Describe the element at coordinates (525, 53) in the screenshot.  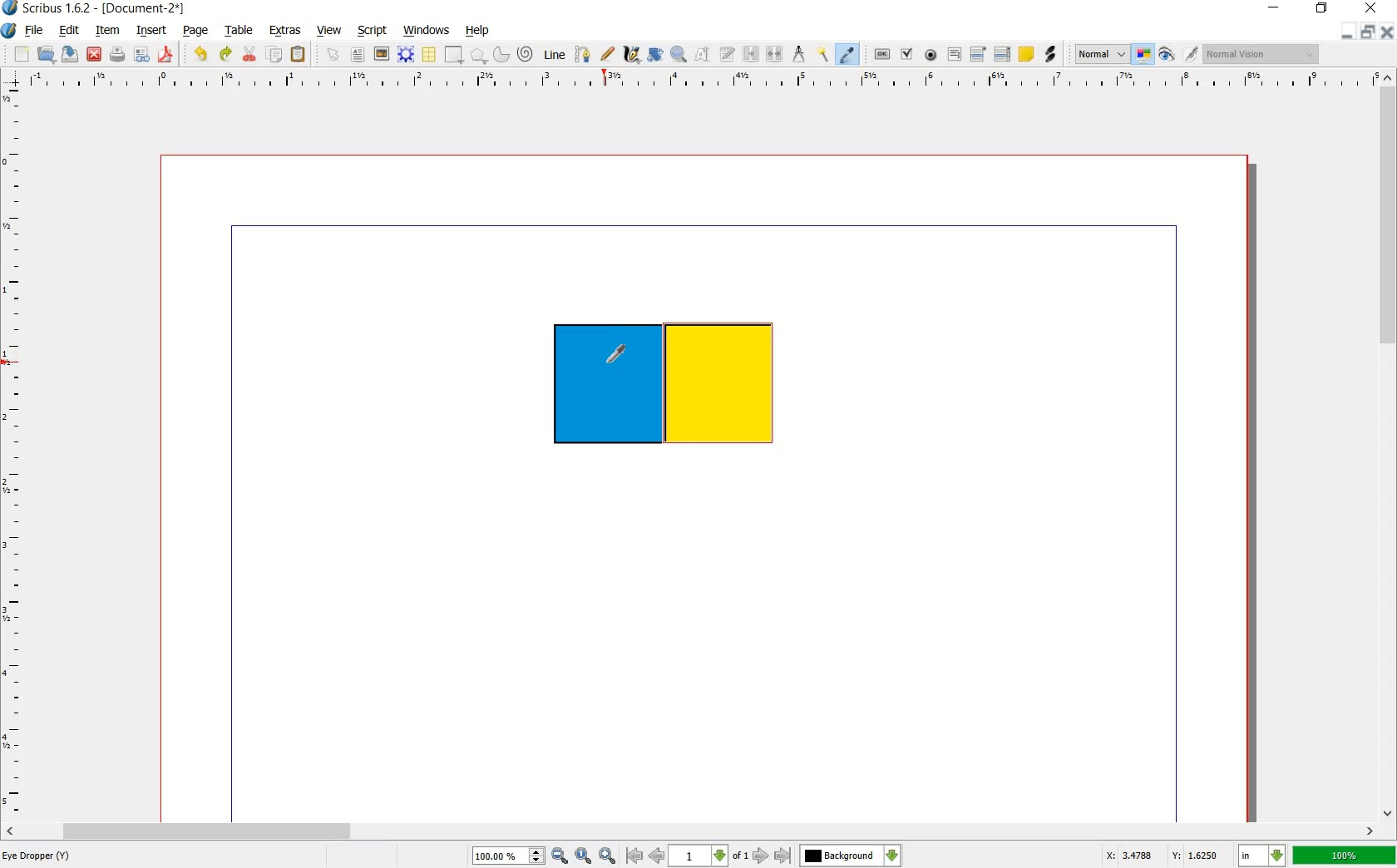
I see `spiral` at that location.